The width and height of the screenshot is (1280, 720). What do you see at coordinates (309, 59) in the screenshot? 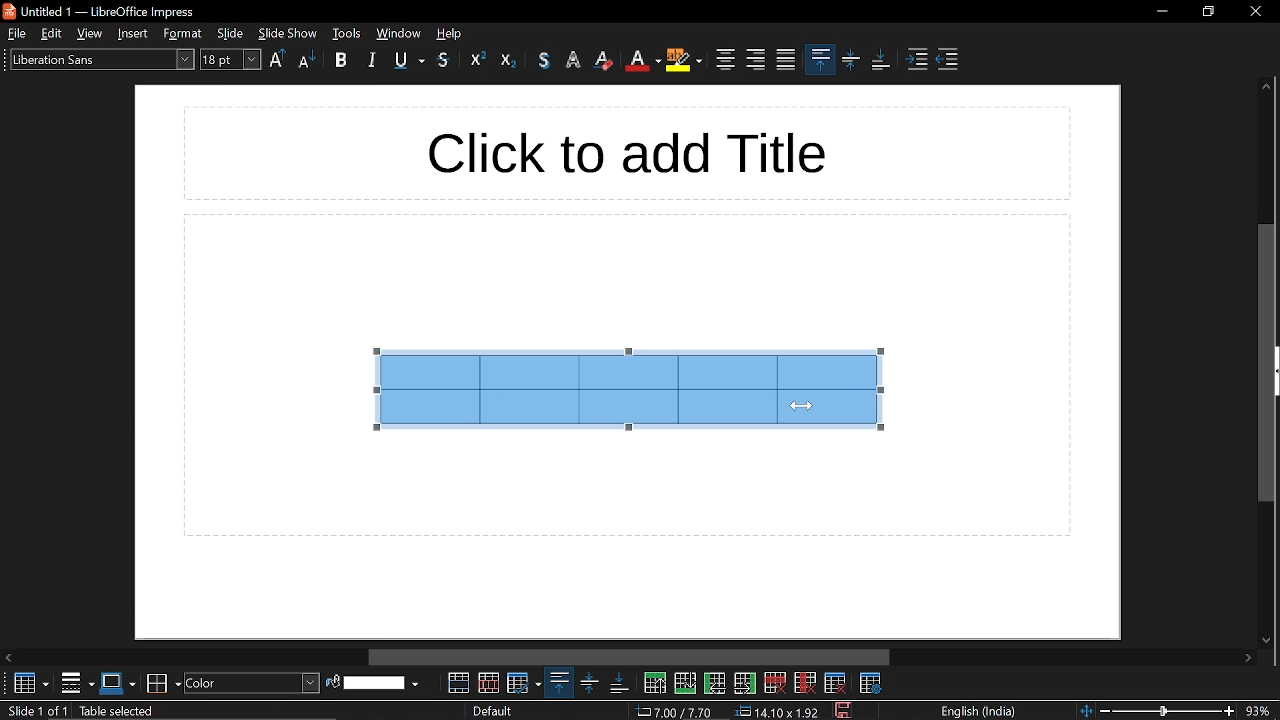
I see `lower case` at bounding box center [309, 59].